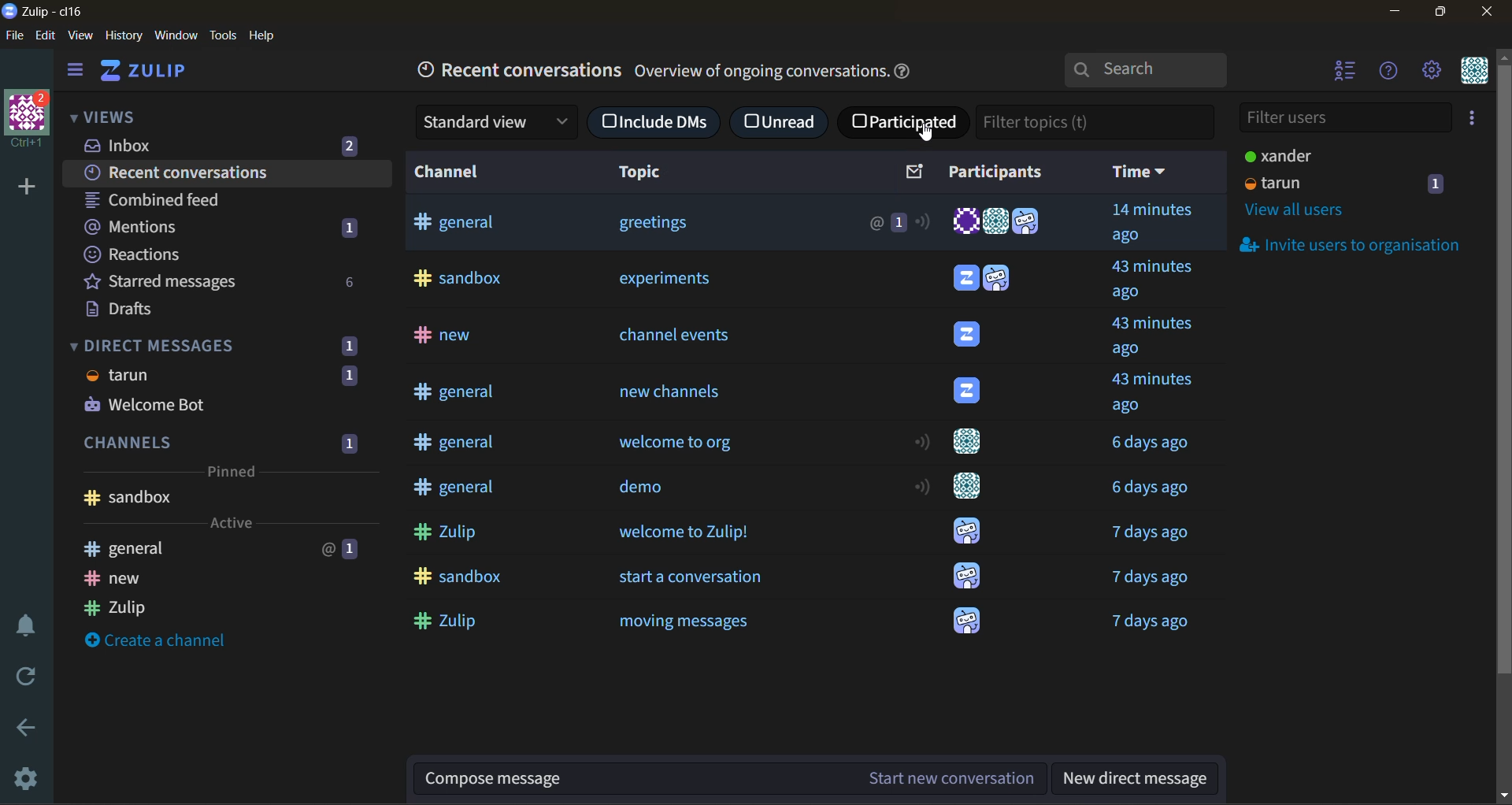 This screenshot has width=1512, height=805. I want to click on @, so click(873, 224).